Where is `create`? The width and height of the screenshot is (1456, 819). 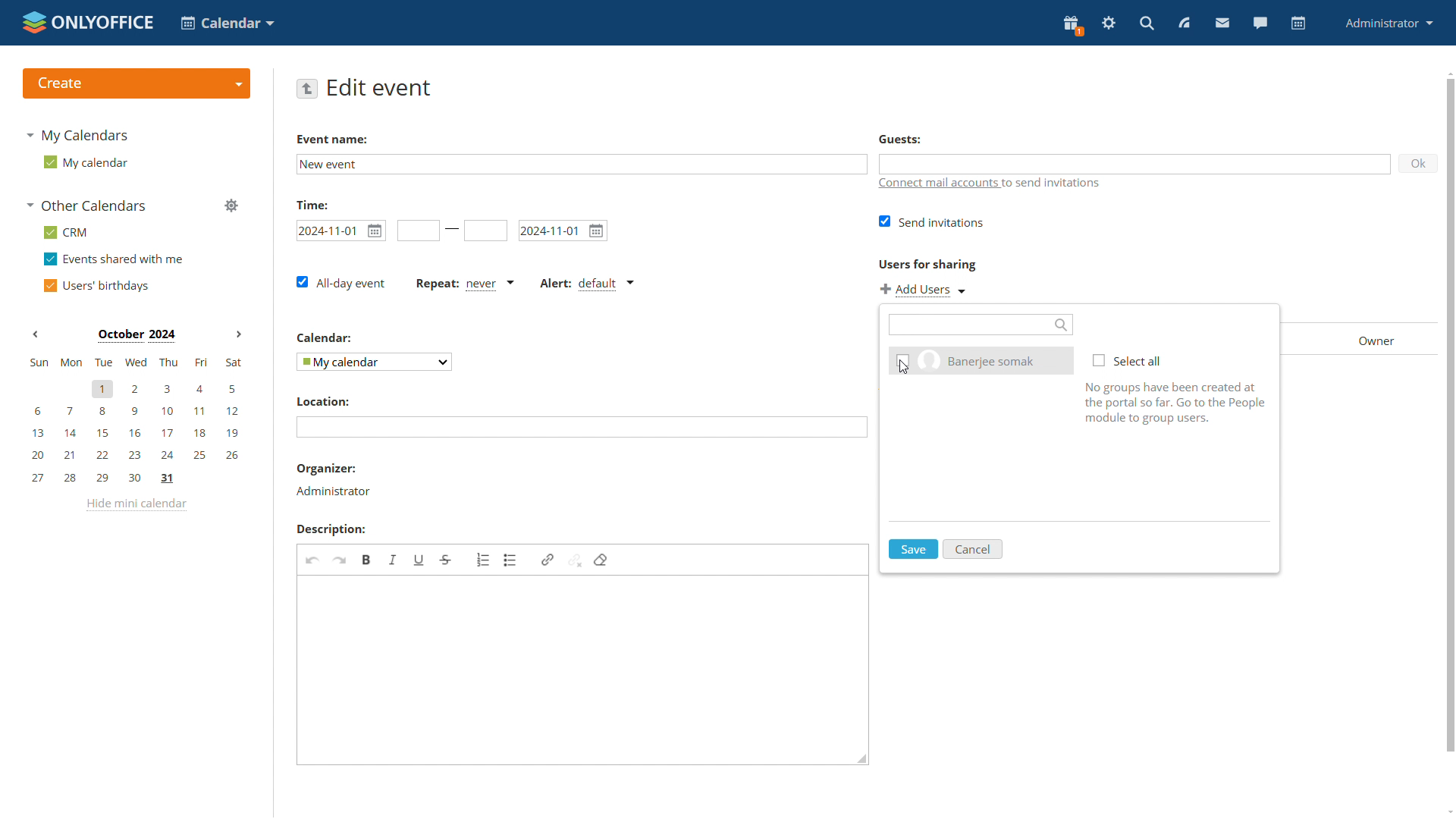
create is located at coordinates (136, 83).